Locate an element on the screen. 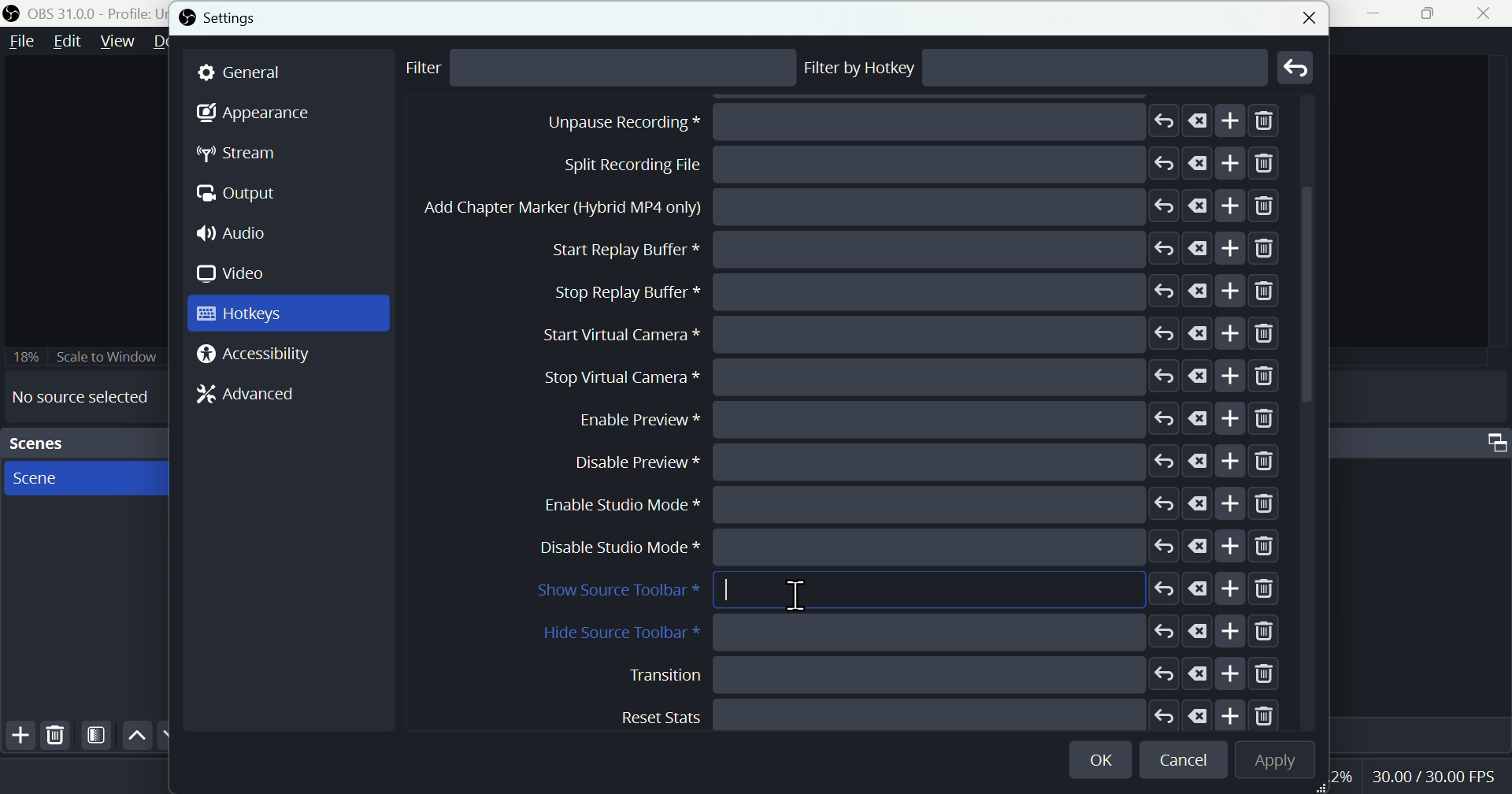  Audio mixer is located at coordinates (1493, 439).